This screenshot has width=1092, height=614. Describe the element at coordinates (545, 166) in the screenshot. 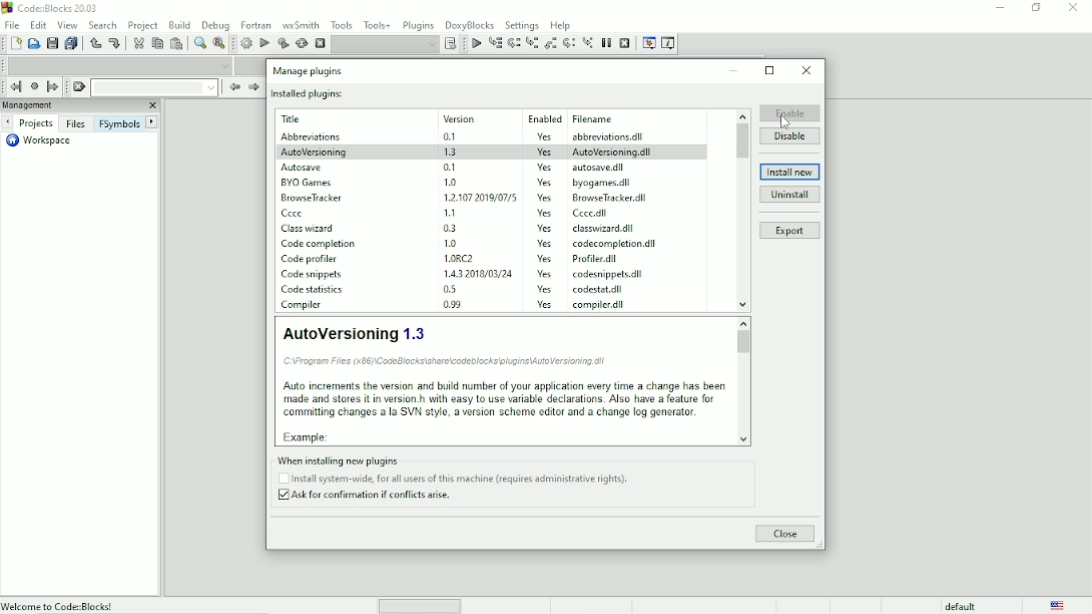

I see `yes` at that location.